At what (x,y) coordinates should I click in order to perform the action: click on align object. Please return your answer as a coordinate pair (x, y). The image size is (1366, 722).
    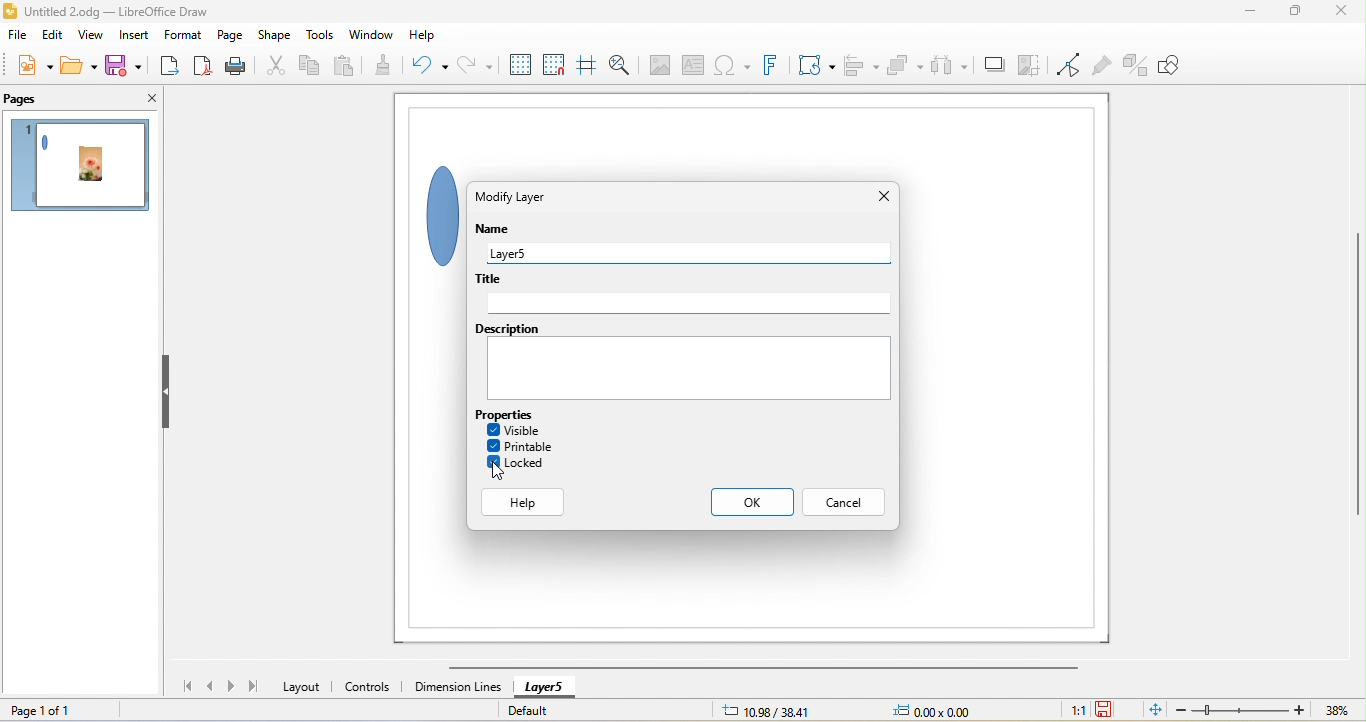
    Looking at the image, I should click on (857, 63).